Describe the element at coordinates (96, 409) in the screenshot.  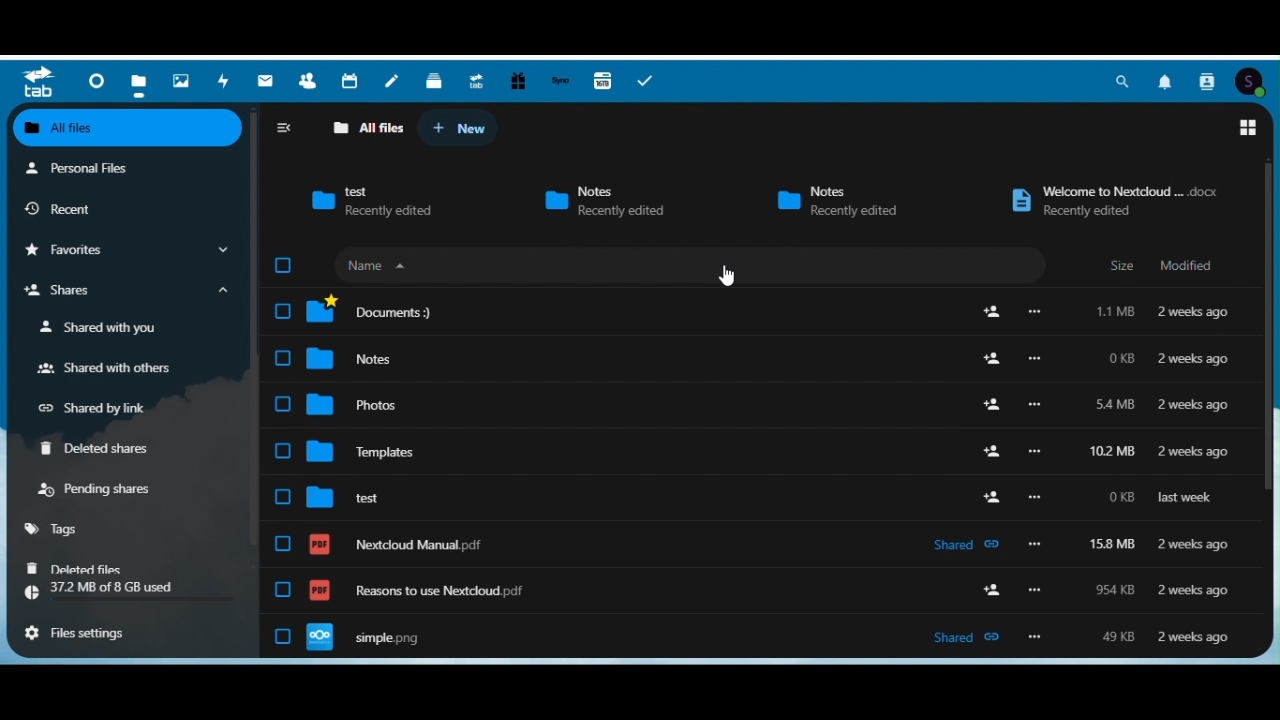
I see `Shared by Link` at that location.